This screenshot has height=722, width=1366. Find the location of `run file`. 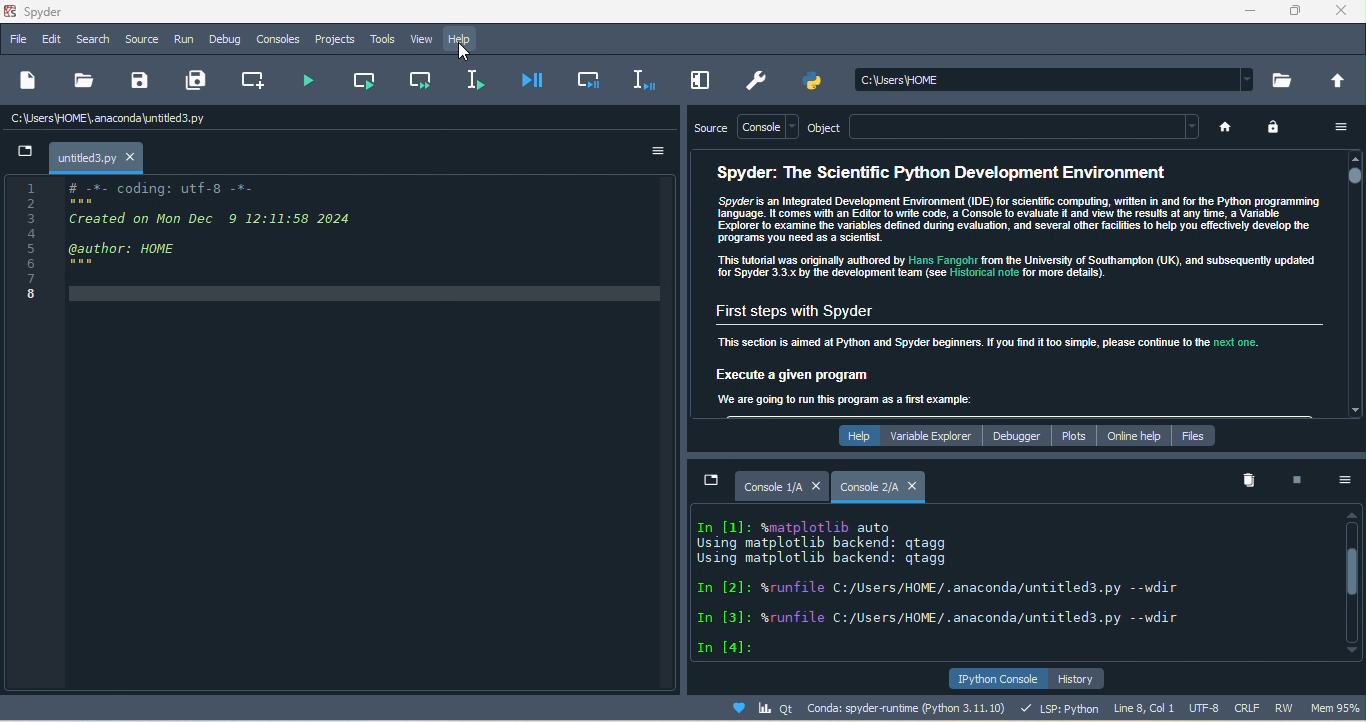

run file is located at coordinates (312, 79).